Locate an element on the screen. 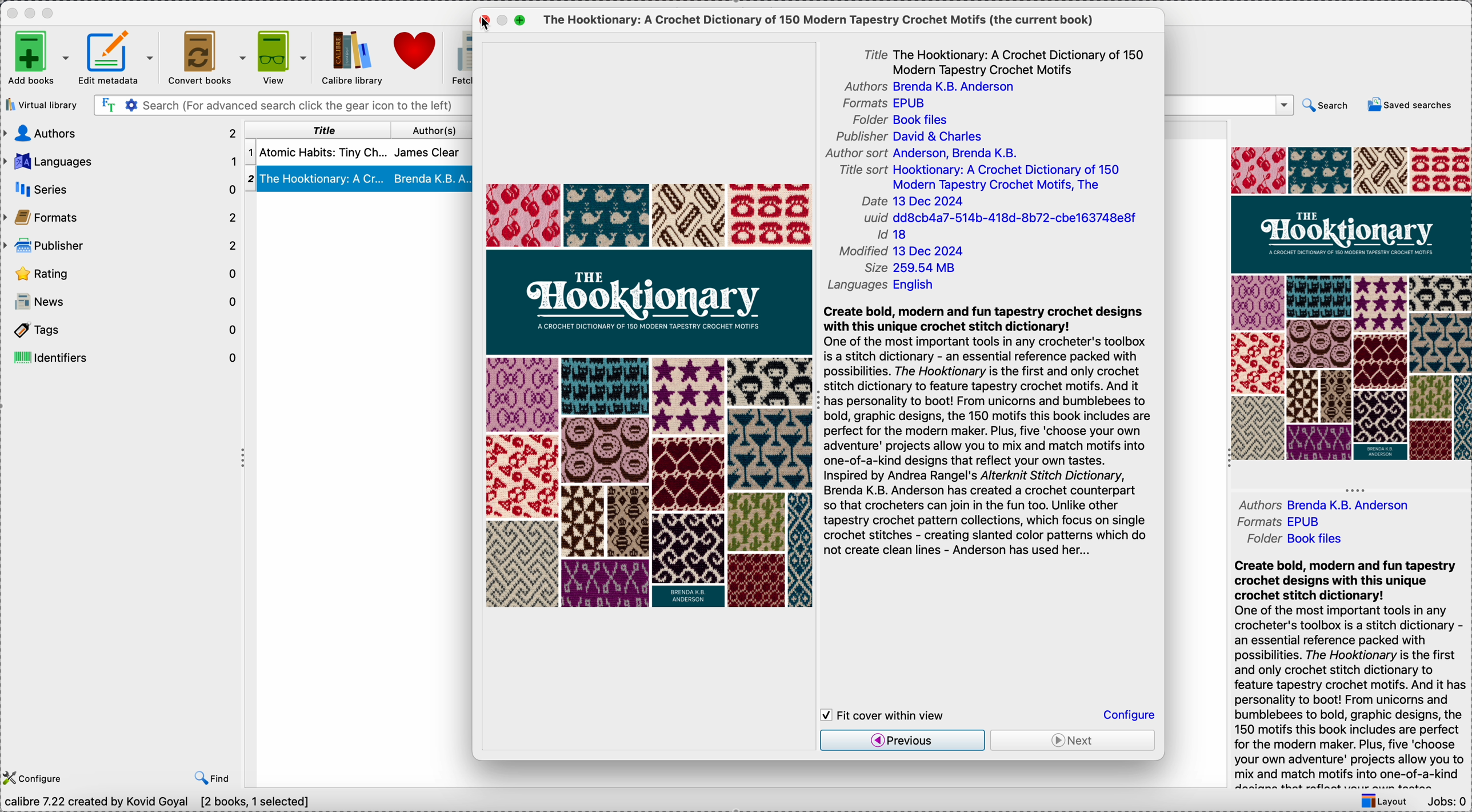  book cover preview is located at coordinates (1351, 302).